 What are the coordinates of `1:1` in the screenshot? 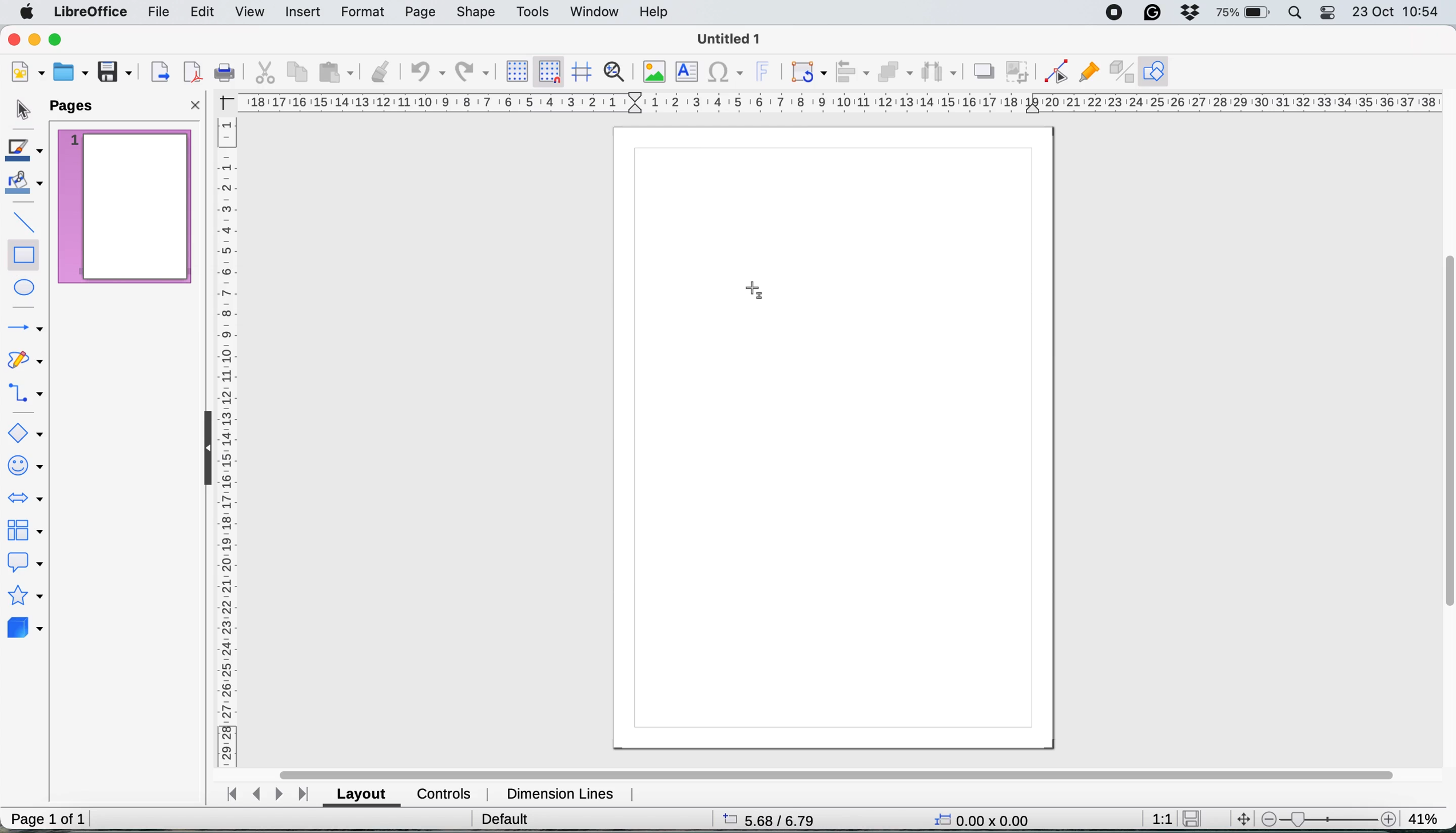 It's located at (1160, 817).